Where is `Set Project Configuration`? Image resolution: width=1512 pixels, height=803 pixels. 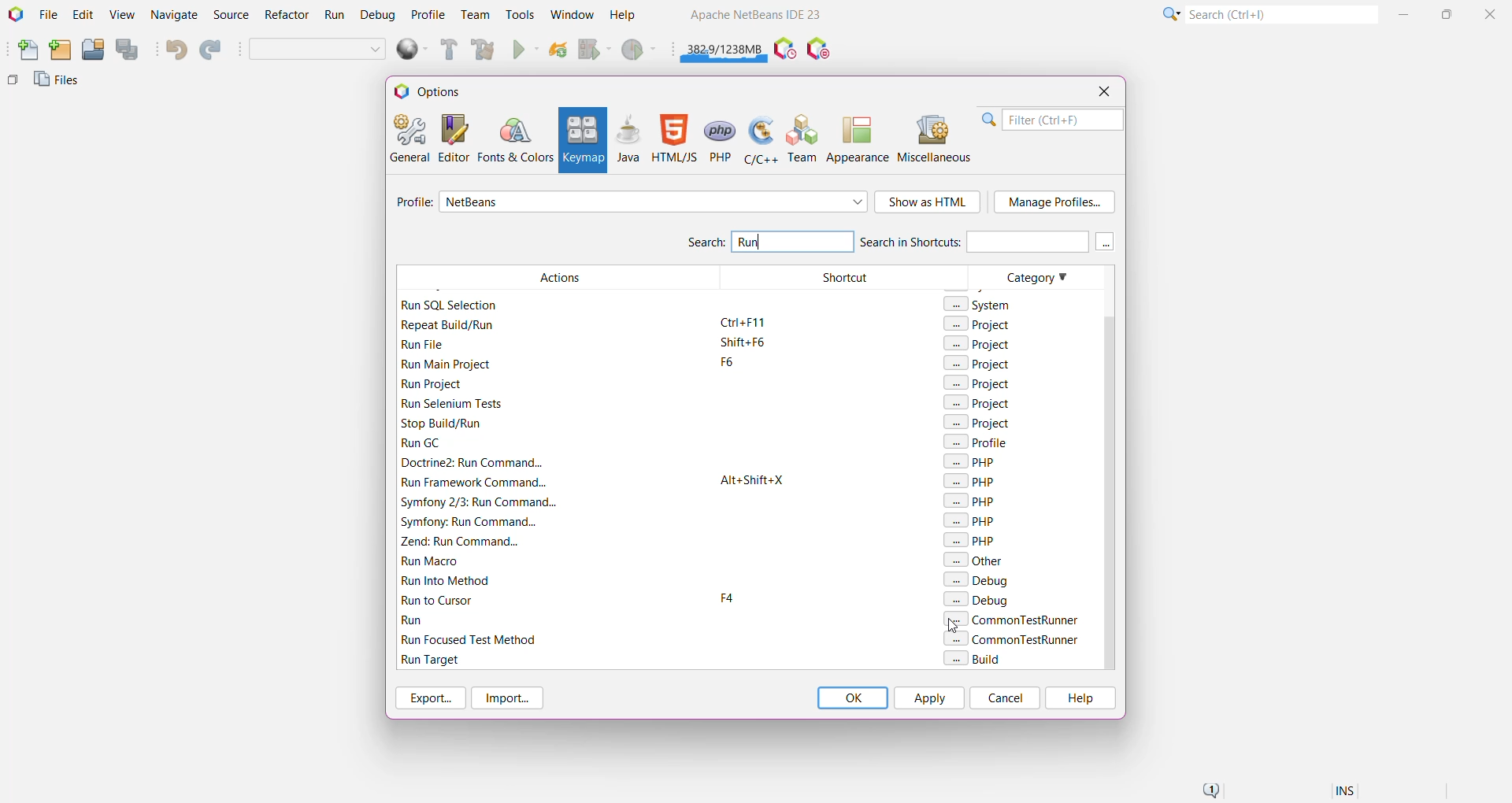 Set Project Configuration is located at coordinates (318, 50).